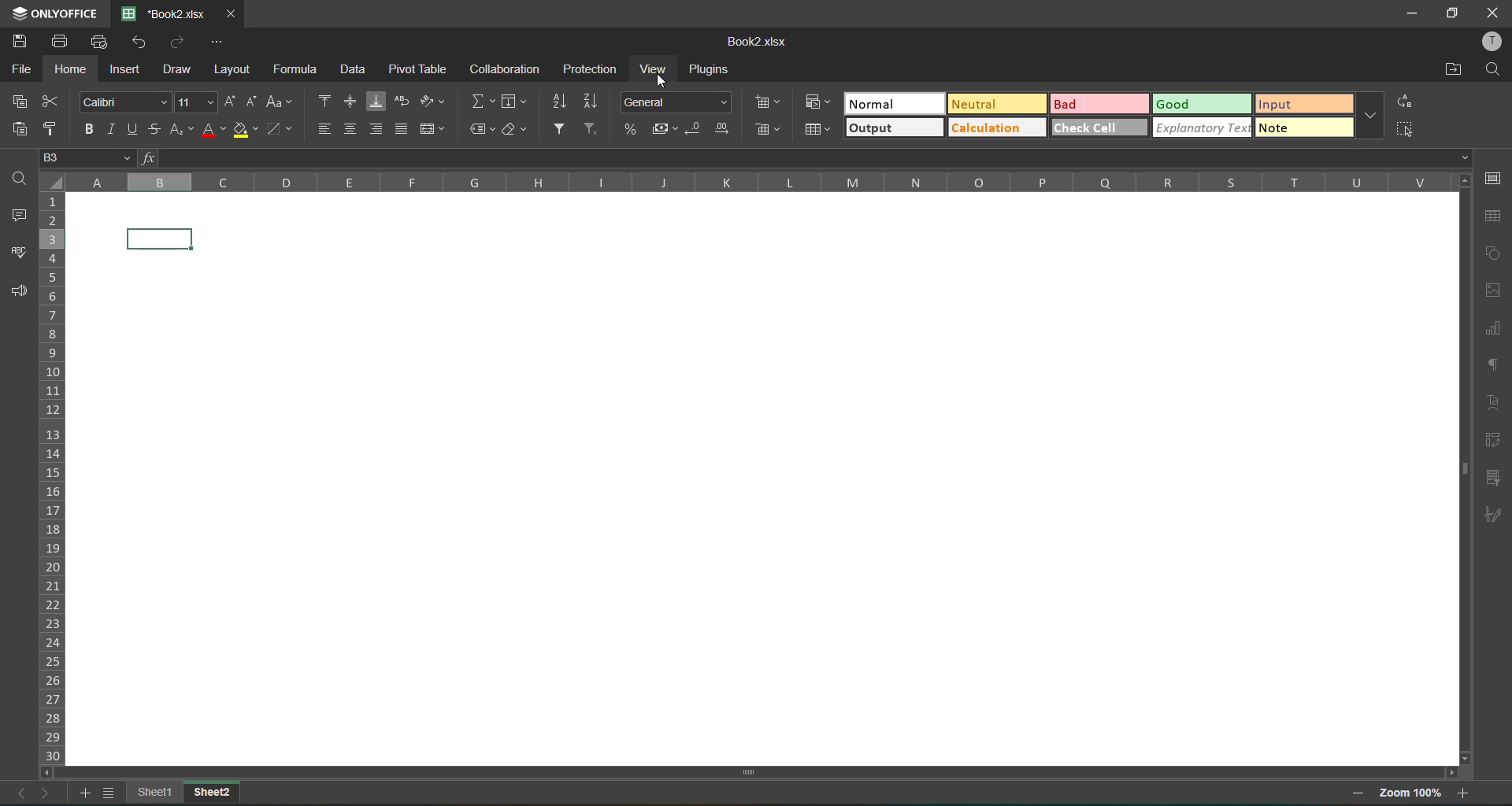 The width and height of the screenshot is (1512, 806). What do you see at coordinates (594, 128) in the screenshot?
I see `clear filter` at bounding box center [594, 128].